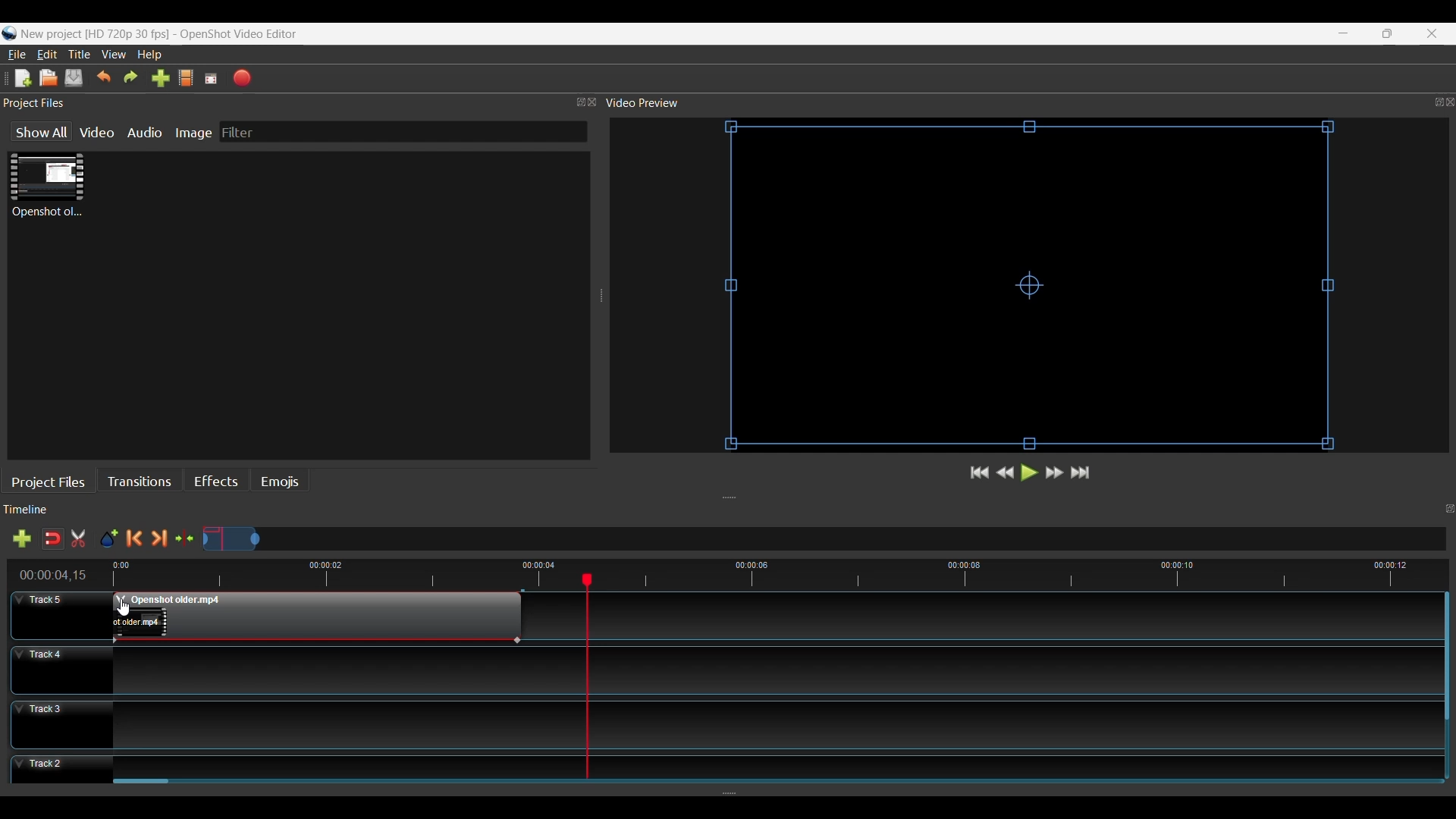 The width and height of the screenshot is (1456, 819). What do you see at coordinates (47, 186) in the screenshot?
I see `Clip` at bounding box center [47, 186].